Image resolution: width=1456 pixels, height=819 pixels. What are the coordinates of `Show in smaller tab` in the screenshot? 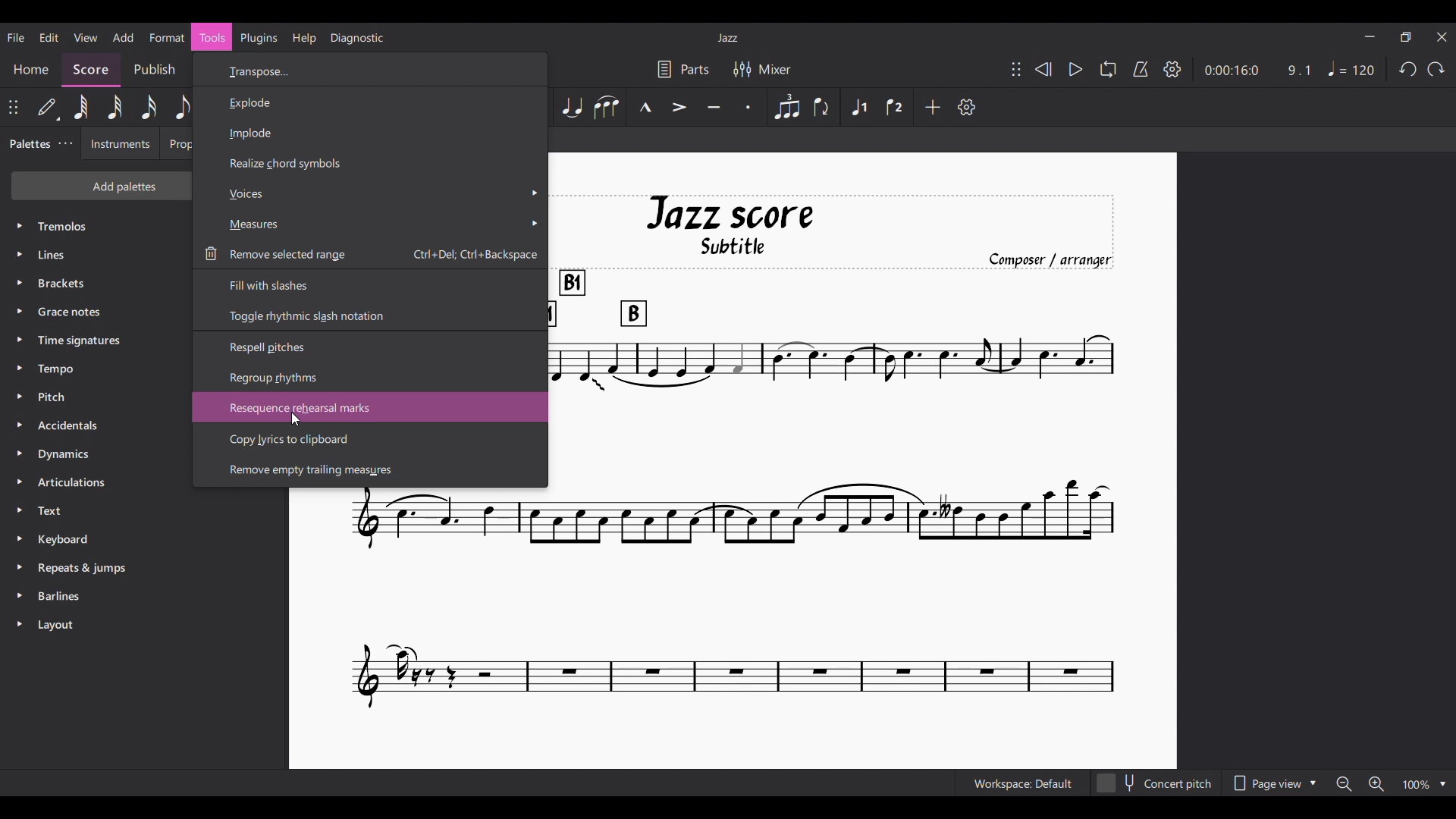 It's located at (1406, 37).